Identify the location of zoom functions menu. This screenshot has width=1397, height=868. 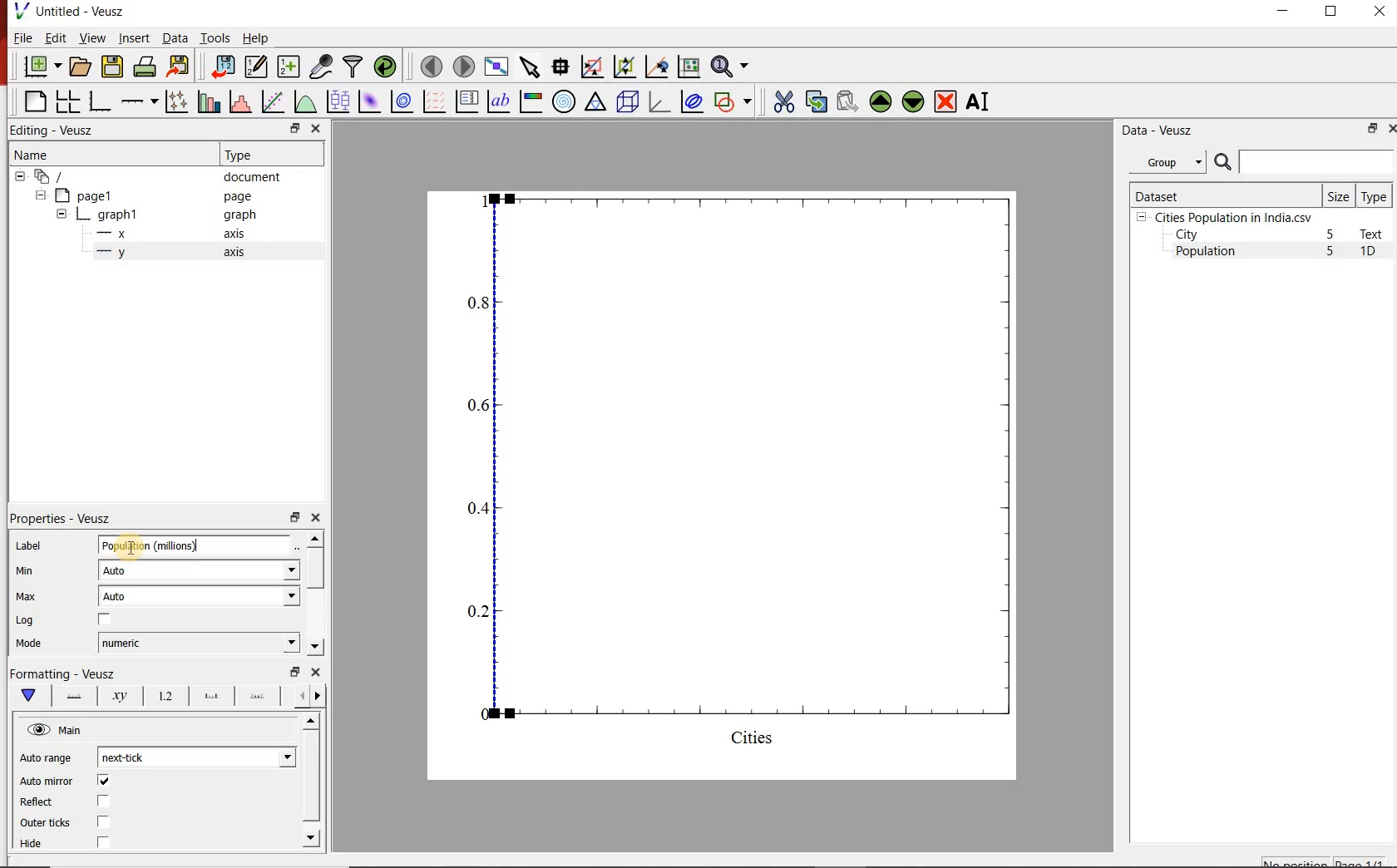
(733, 67).